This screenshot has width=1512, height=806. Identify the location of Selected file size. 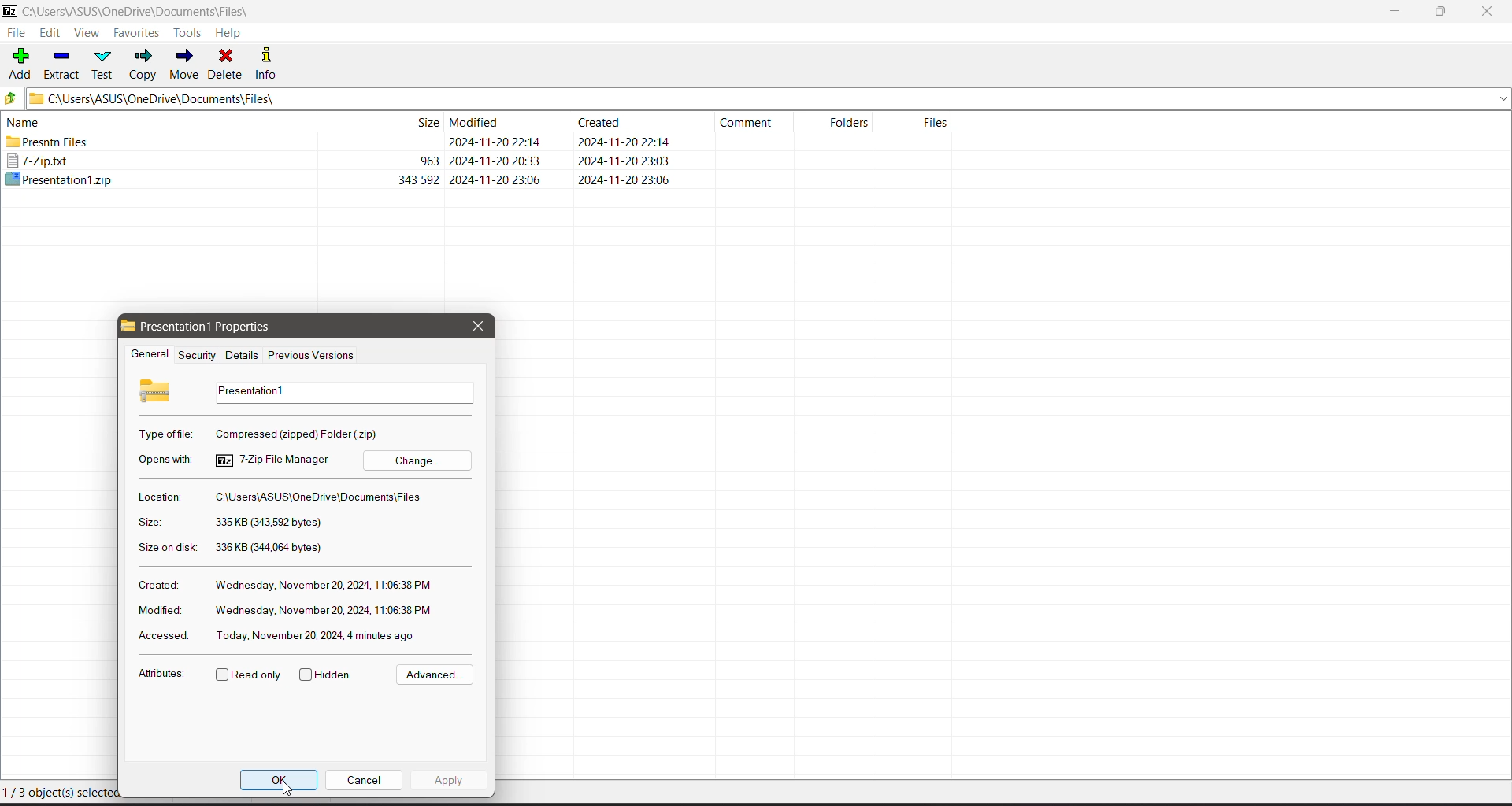
(268, 523).